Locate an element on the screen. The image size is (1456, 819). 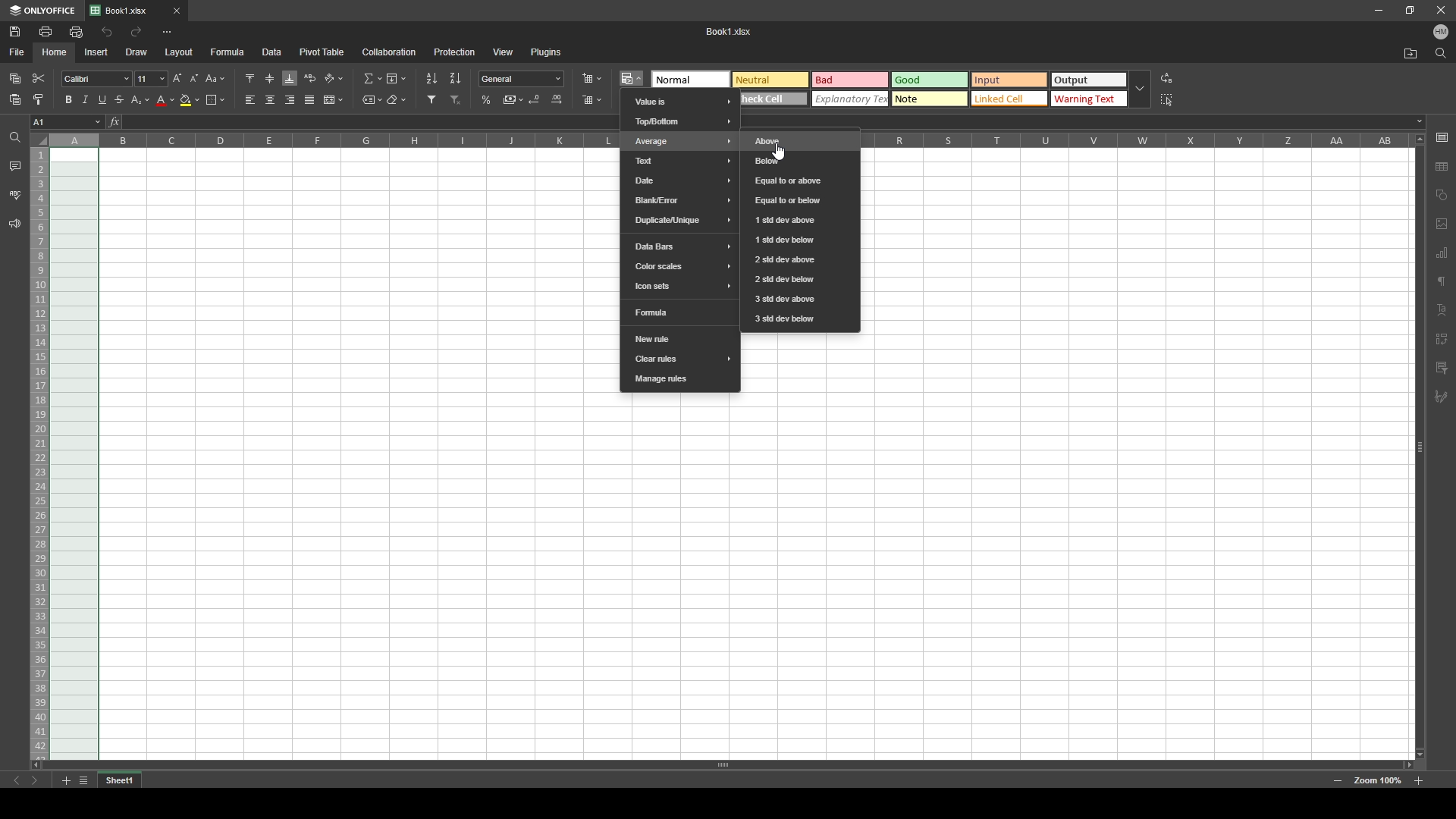
find is located at coordinates (1441, 54).